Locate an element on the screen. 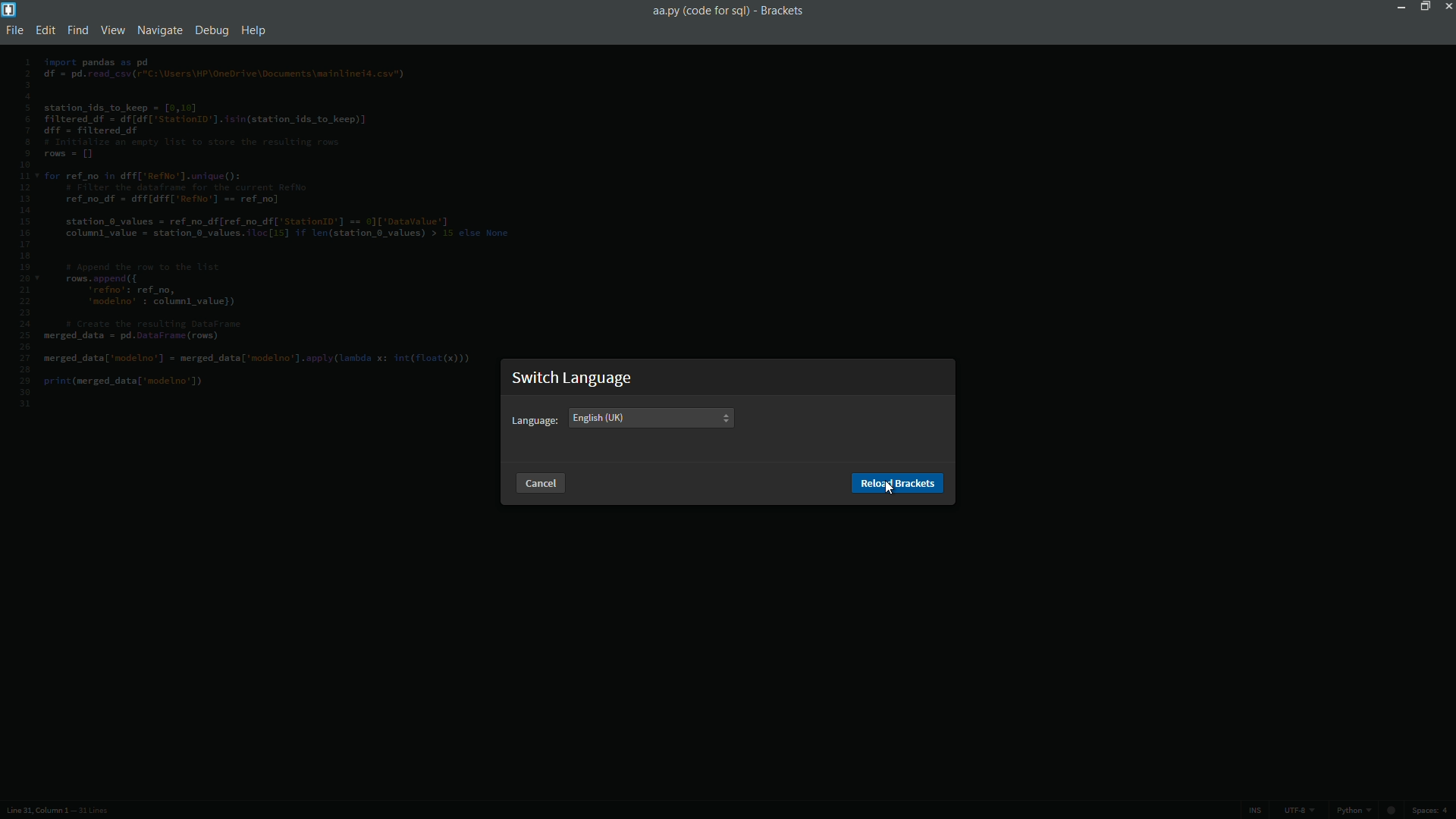 The image size is (1456, 819). file name is located at coordinates (698, 11).